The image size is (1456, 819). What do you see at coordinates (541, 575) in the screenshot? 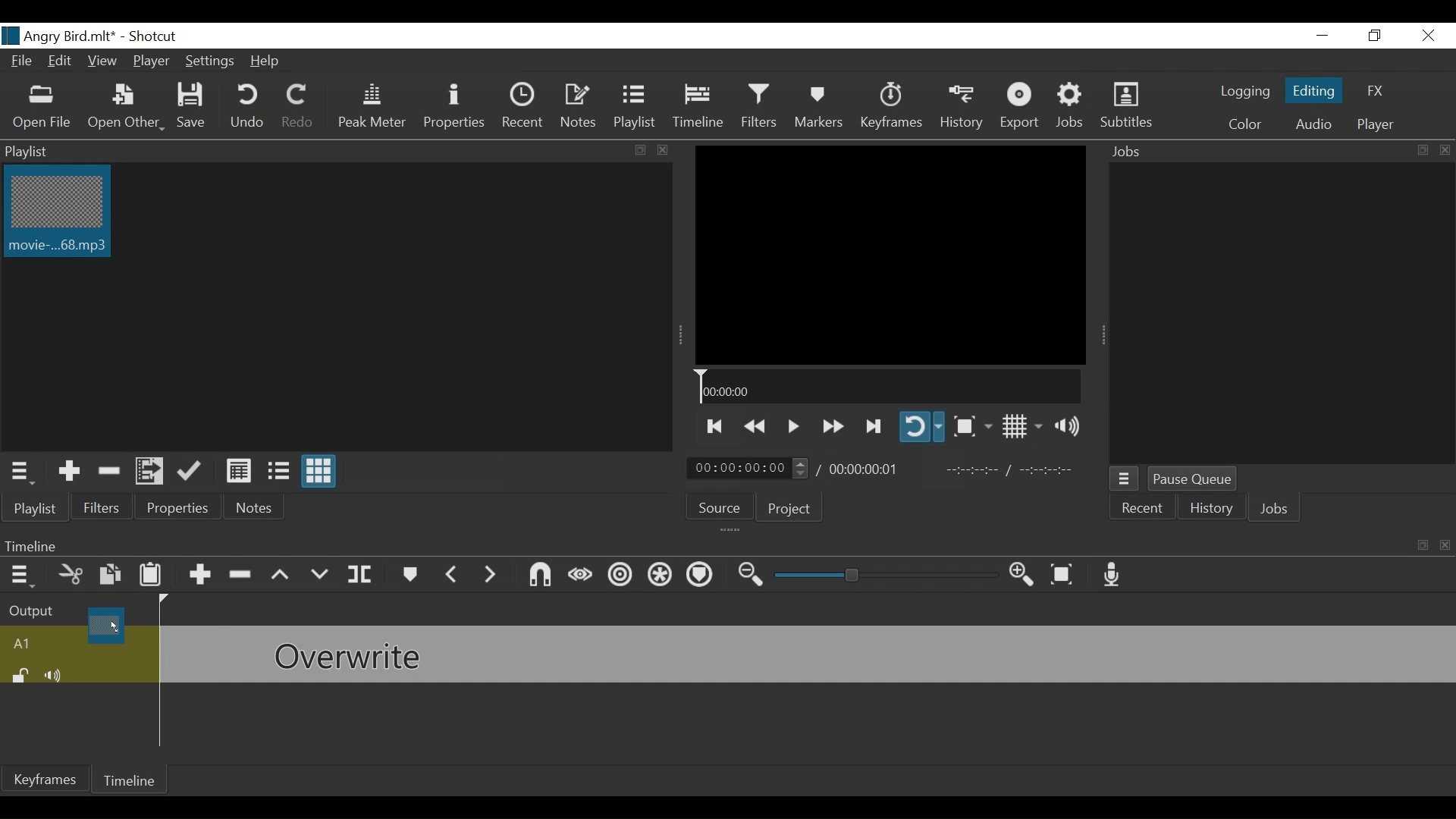
I see `Snap` at bounding box center [541, 575].